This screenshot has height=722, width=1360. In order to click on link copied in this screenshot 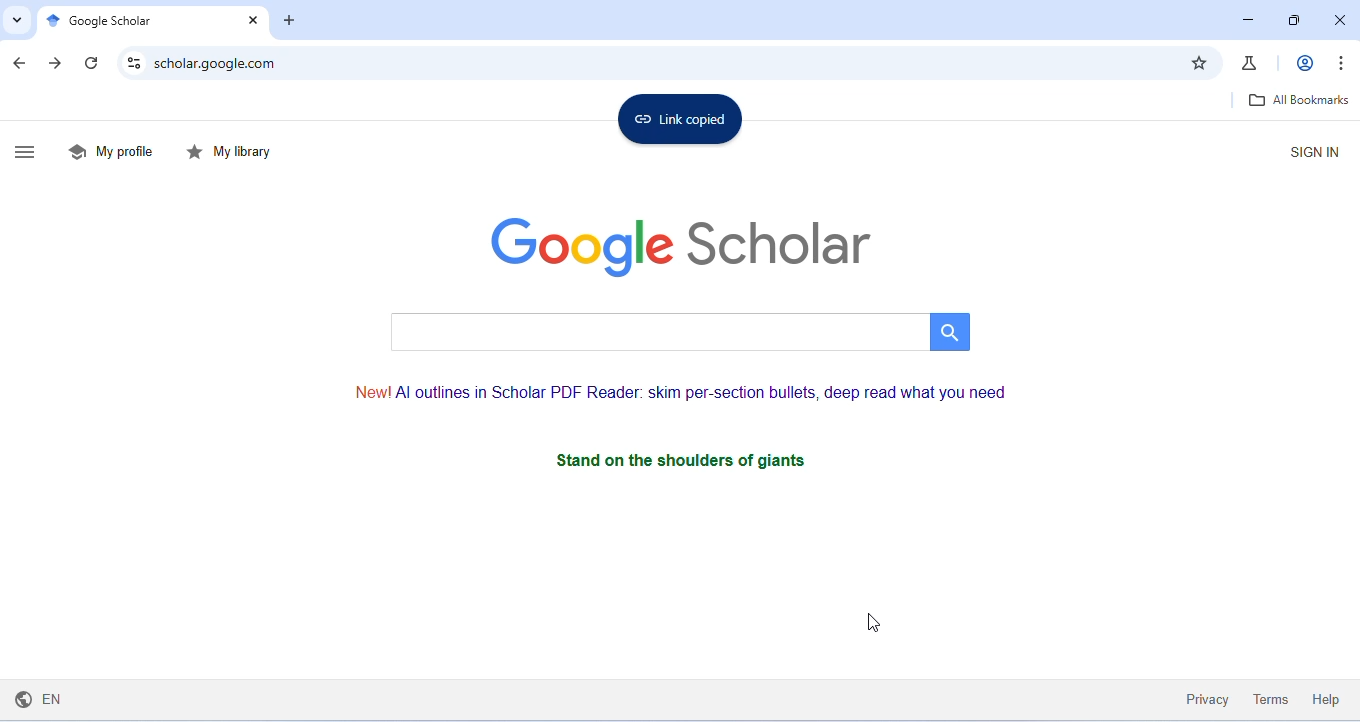, I will do `click(676, 120)`.